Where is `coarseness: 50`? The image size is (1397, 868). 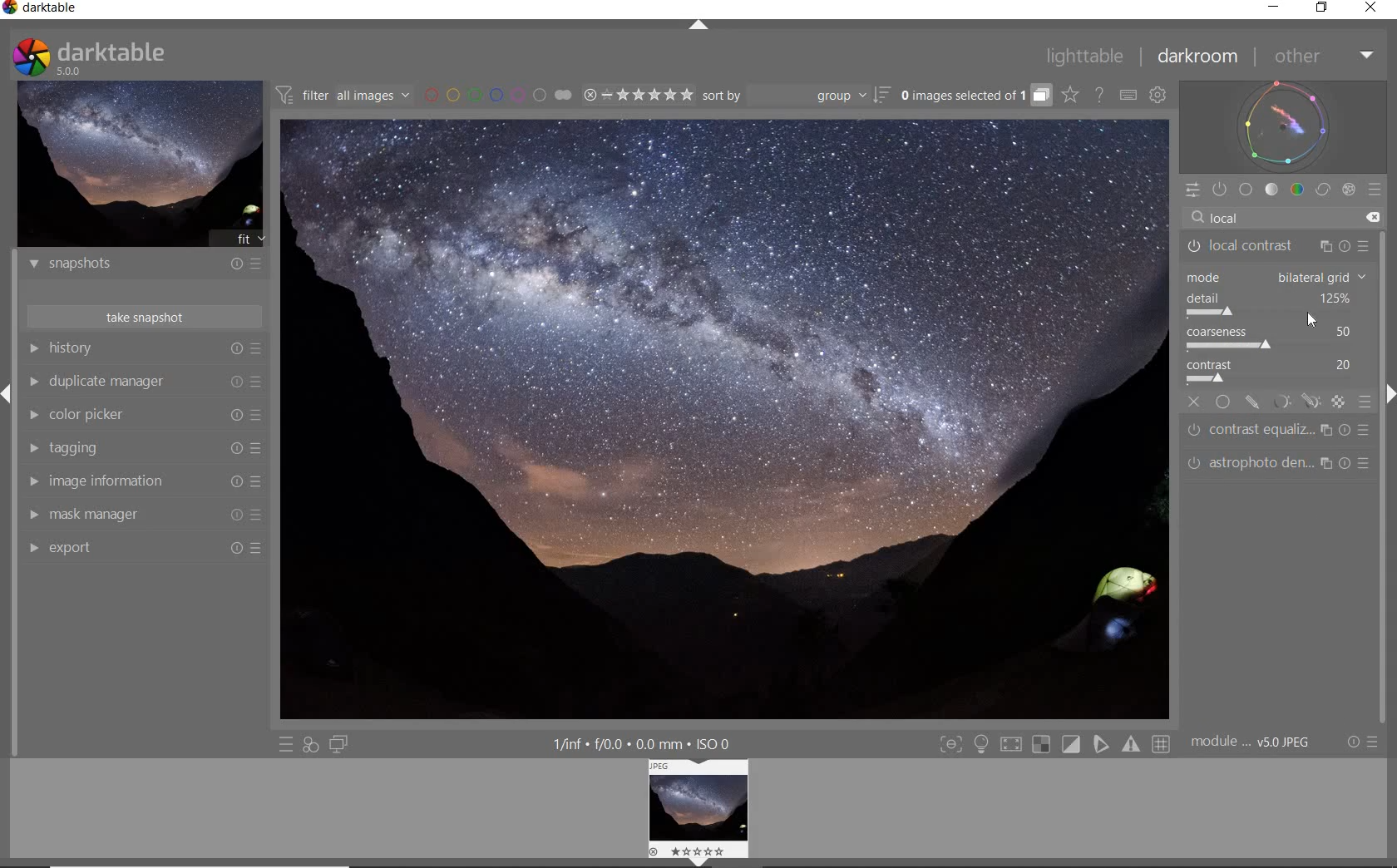 coarseness: 50 is located at coordinates (1267, 332).